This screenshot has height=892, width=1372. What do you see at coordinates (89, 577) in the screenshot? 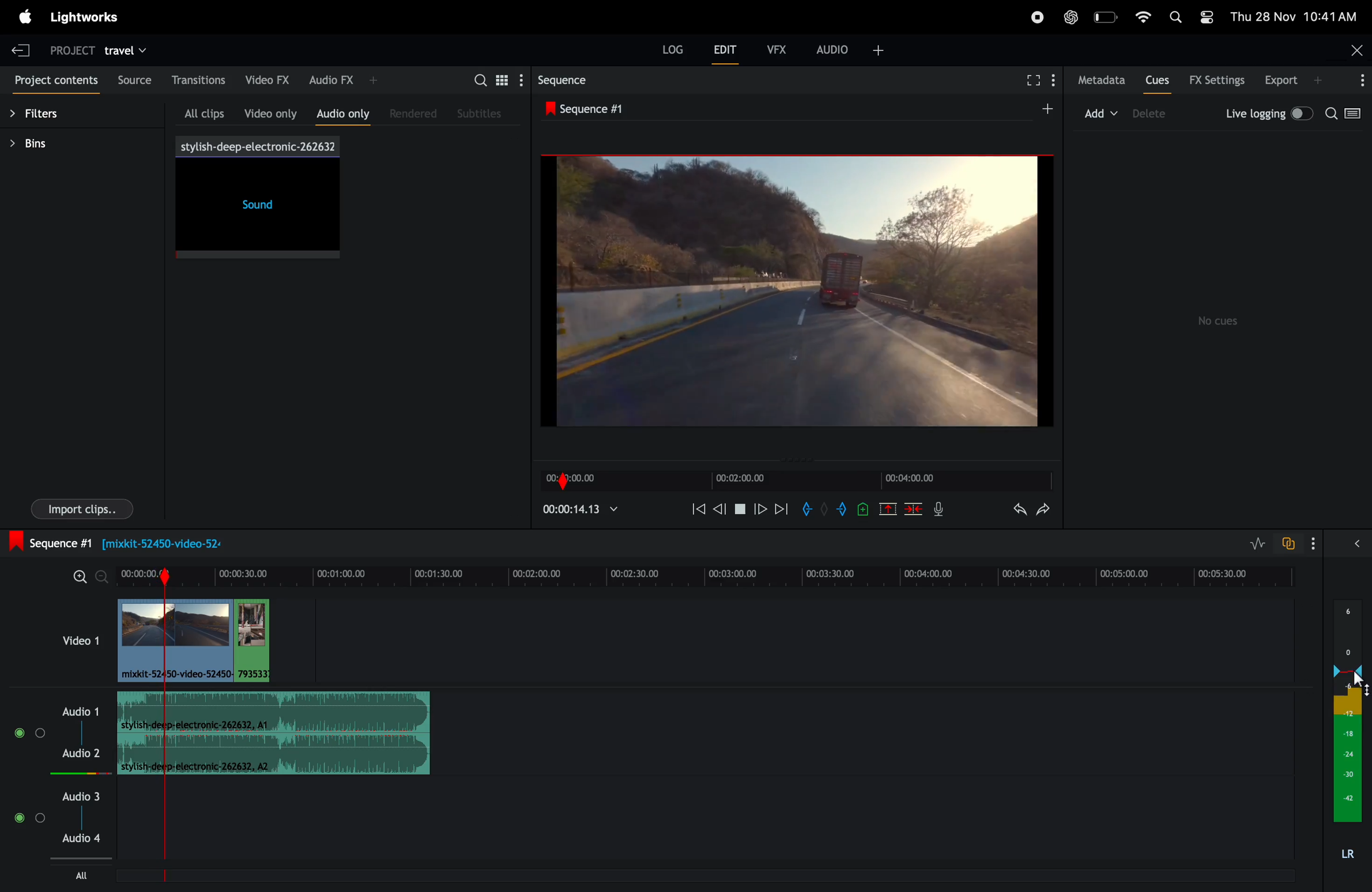
I see `zoom in zoom out` at bounding box center [89, 577].